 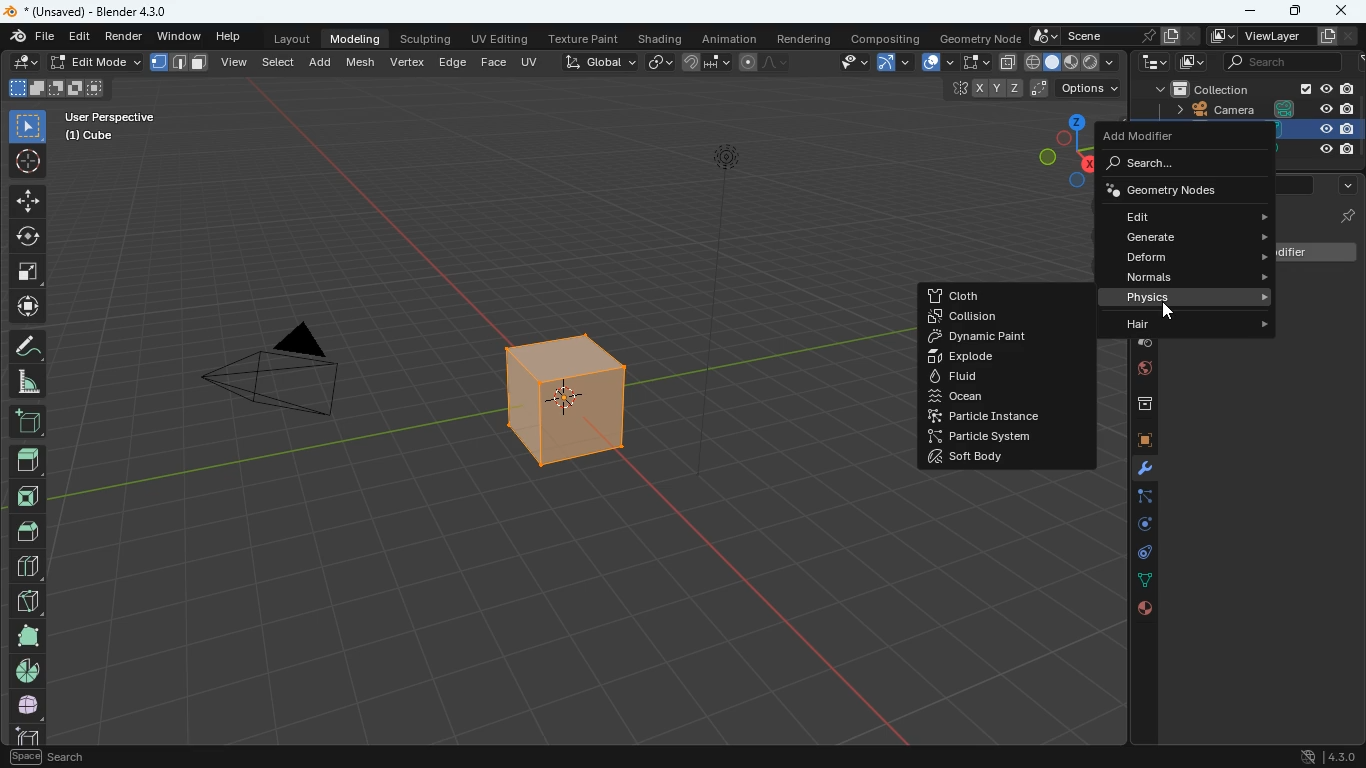 What do you see at coordinates (766, 62) in the screenshot?
I see `draw` at bounding box center [766, 62].